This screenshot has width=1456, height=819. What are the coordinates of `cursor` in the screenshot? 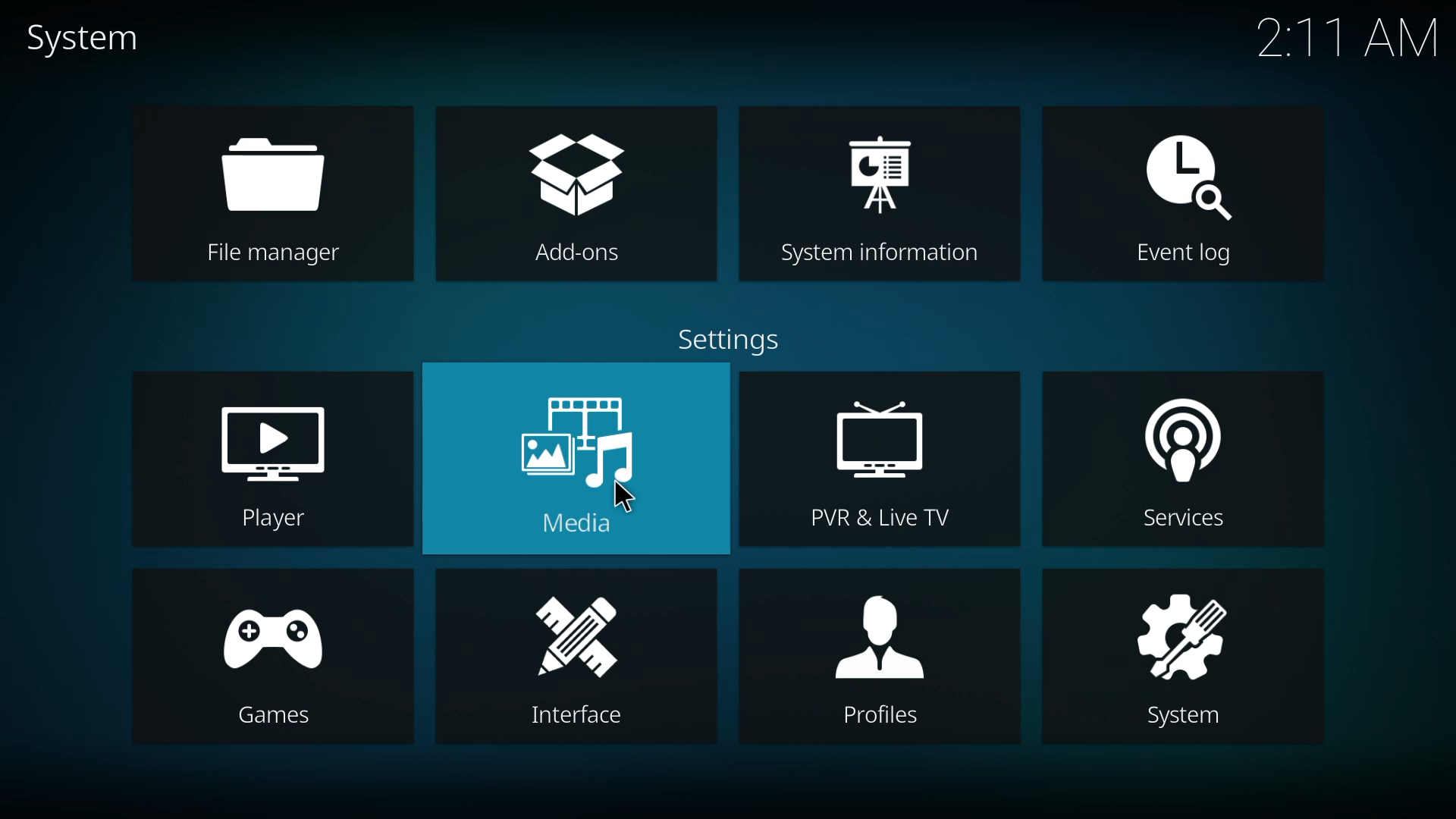 It's located at (625, 500).